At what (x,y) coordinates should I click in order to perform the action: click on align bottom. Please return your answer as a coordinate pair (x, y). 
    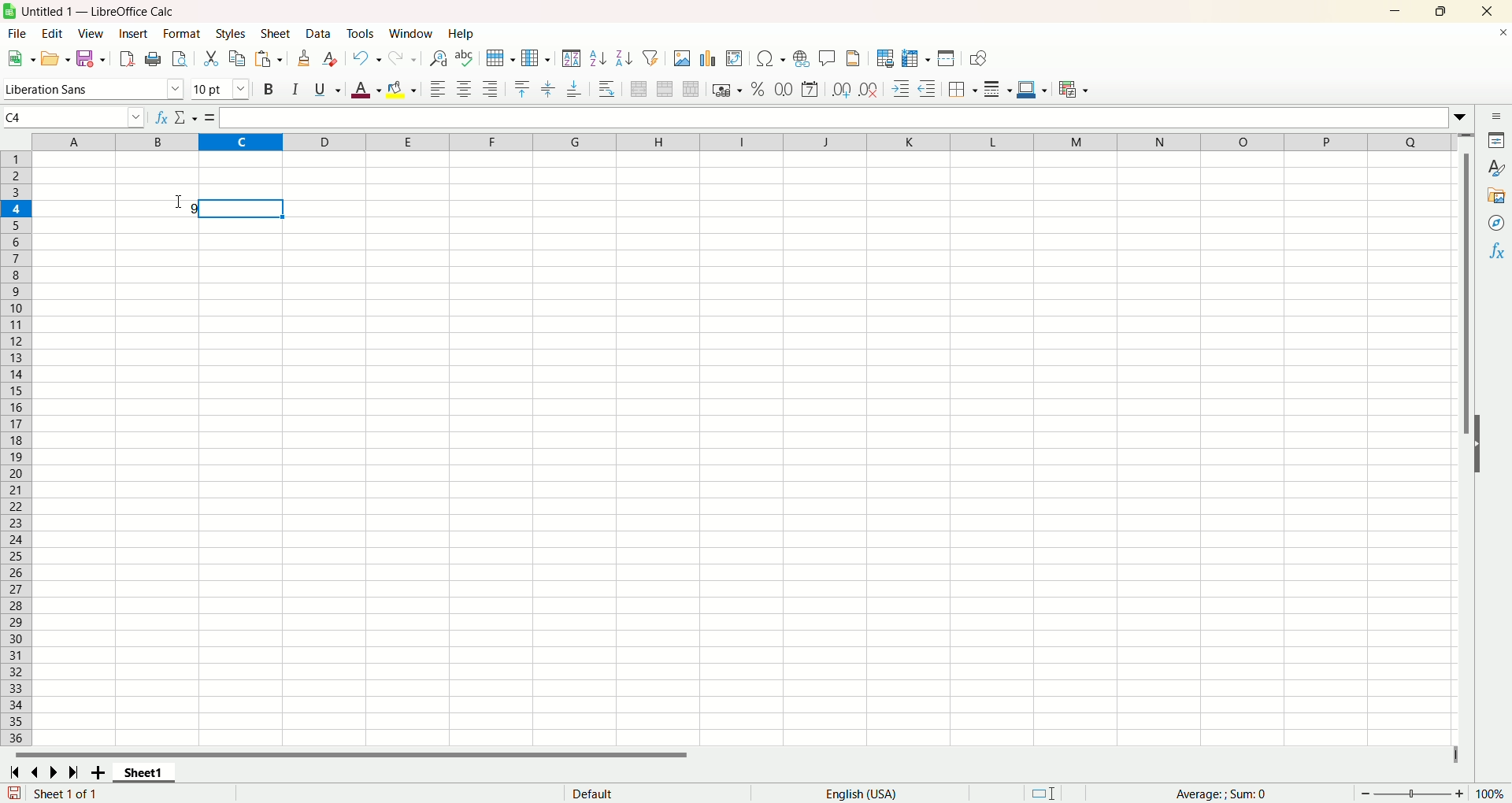
    Looking at the image, I should click on (576, 92).